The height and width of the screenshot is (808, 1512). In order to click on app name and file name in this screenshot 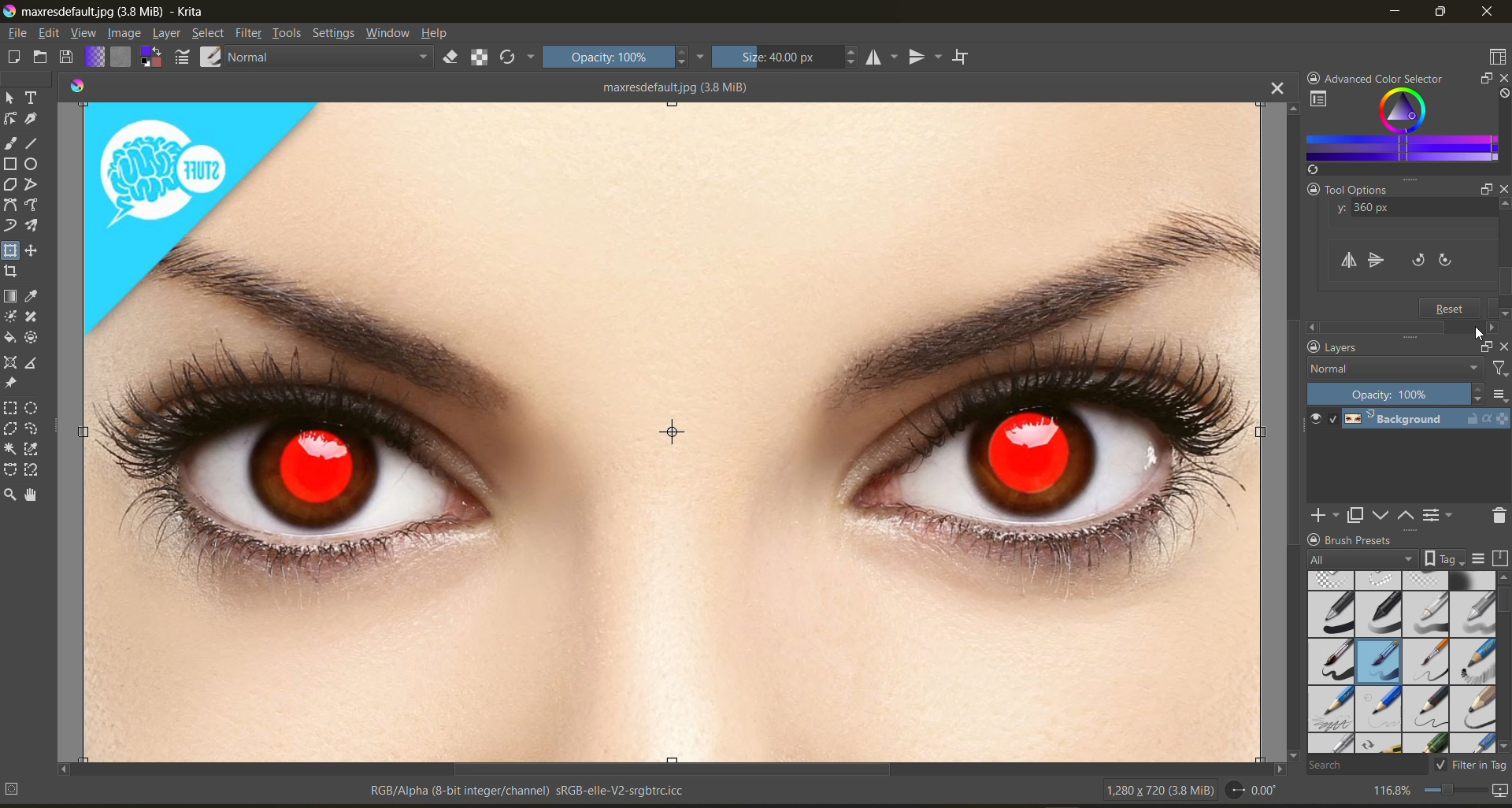, I will do `click(112, 13)`.